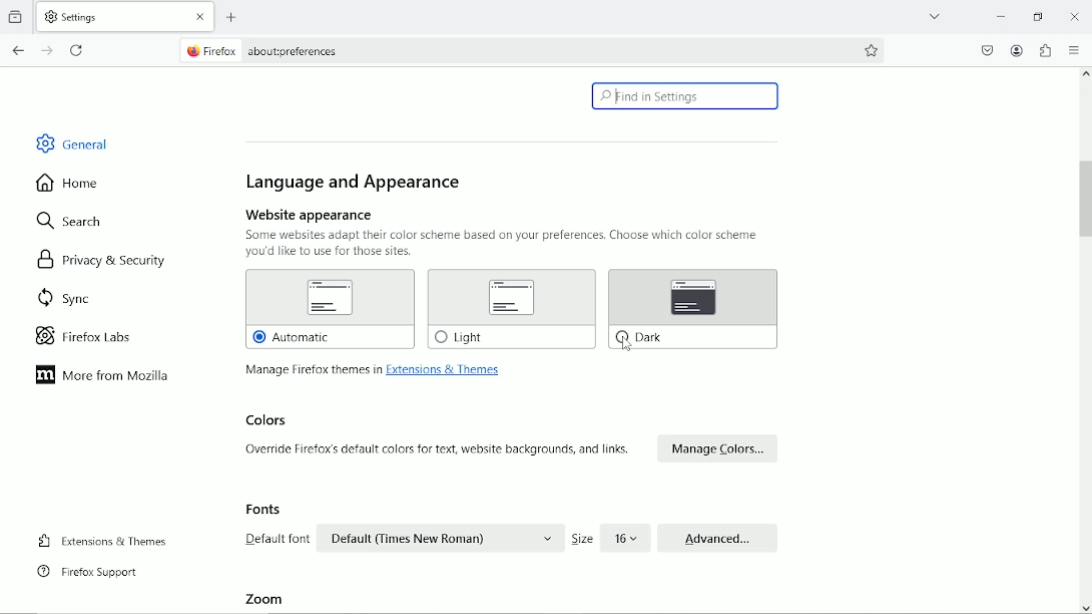  What do you see at coordinates (268, 599) in the screenshot?
I see `Zoom` at bounding box center [268, 599].